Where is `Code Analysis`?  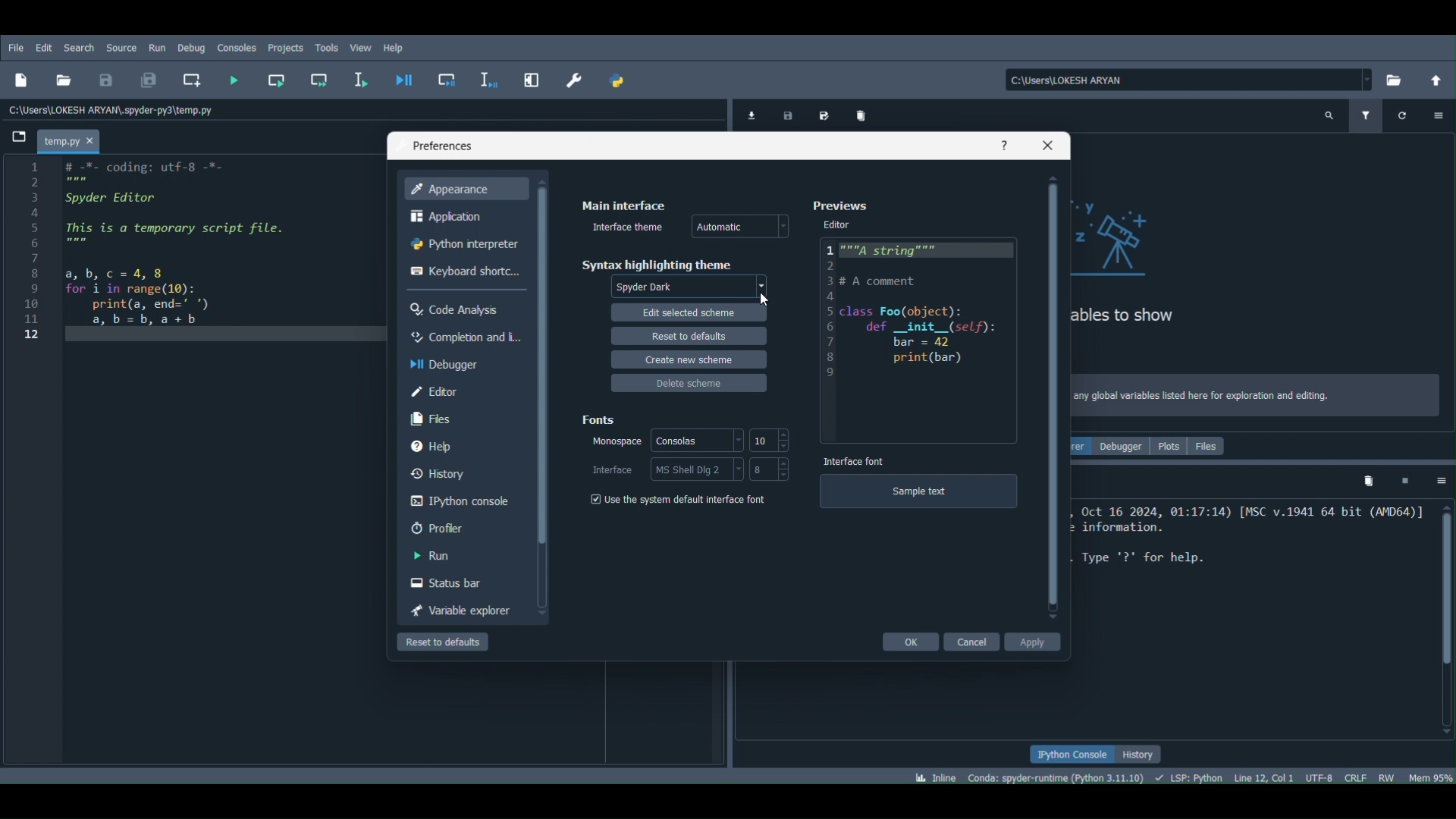 Code Analysis is located at coordinates (466, 306).